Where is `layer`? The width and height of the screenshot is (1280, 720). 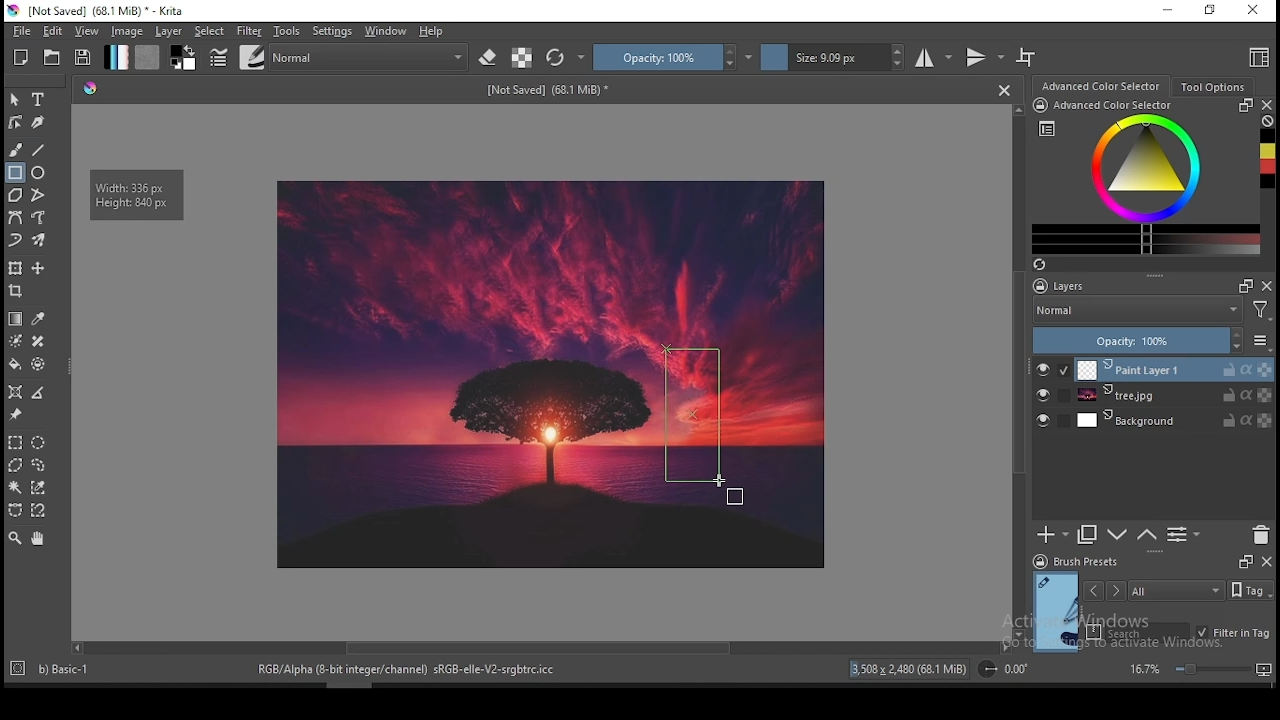
layer is located at coordinates (1173, 396).